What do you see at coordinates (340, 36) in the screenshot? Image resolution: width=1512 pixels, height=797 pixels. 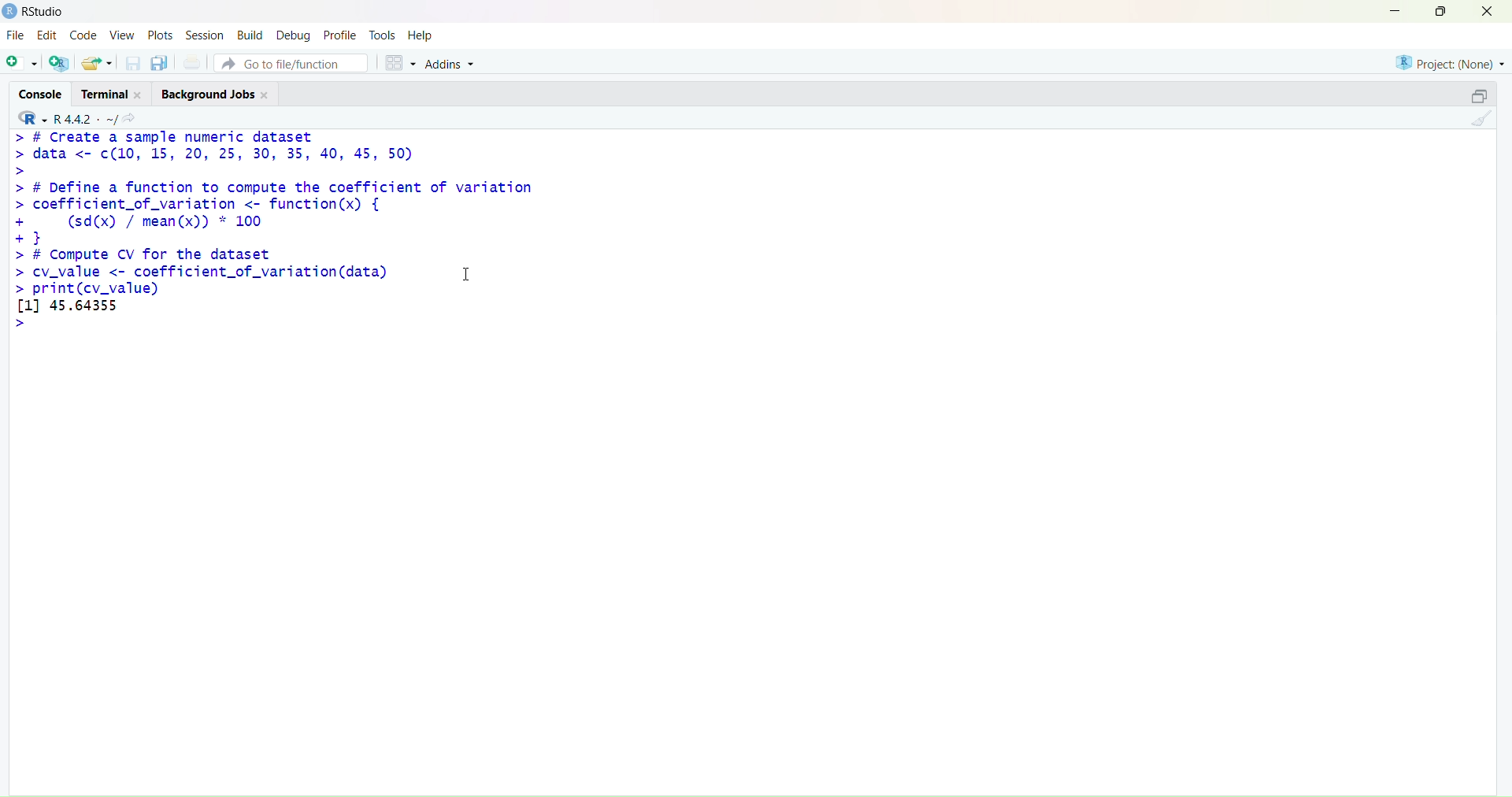 I see `profile` at bounding box center [340, 36].